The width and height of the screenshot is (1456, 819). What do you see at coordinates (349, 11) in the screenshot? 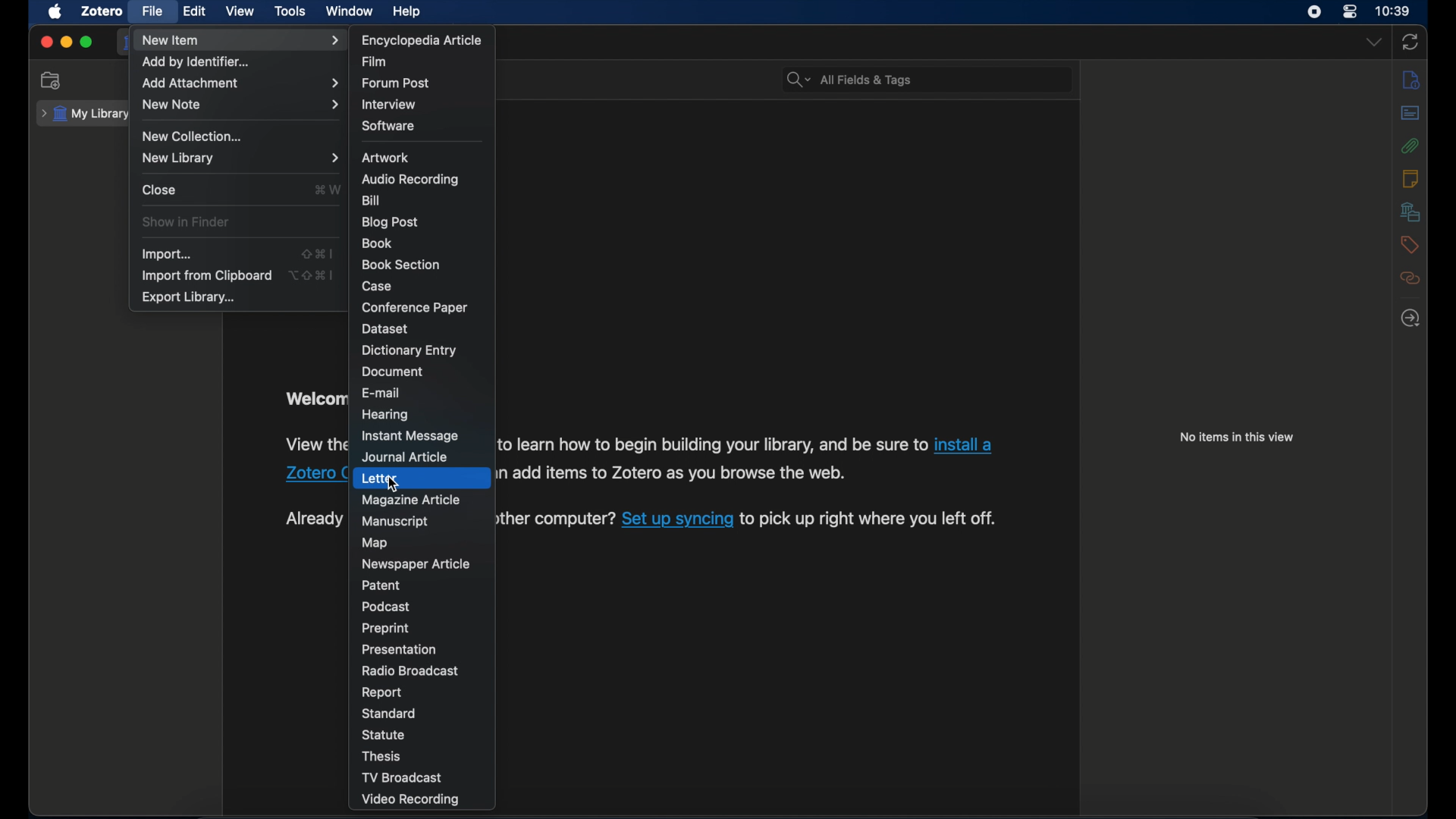
I see `window` at bounding box center [349, 11].